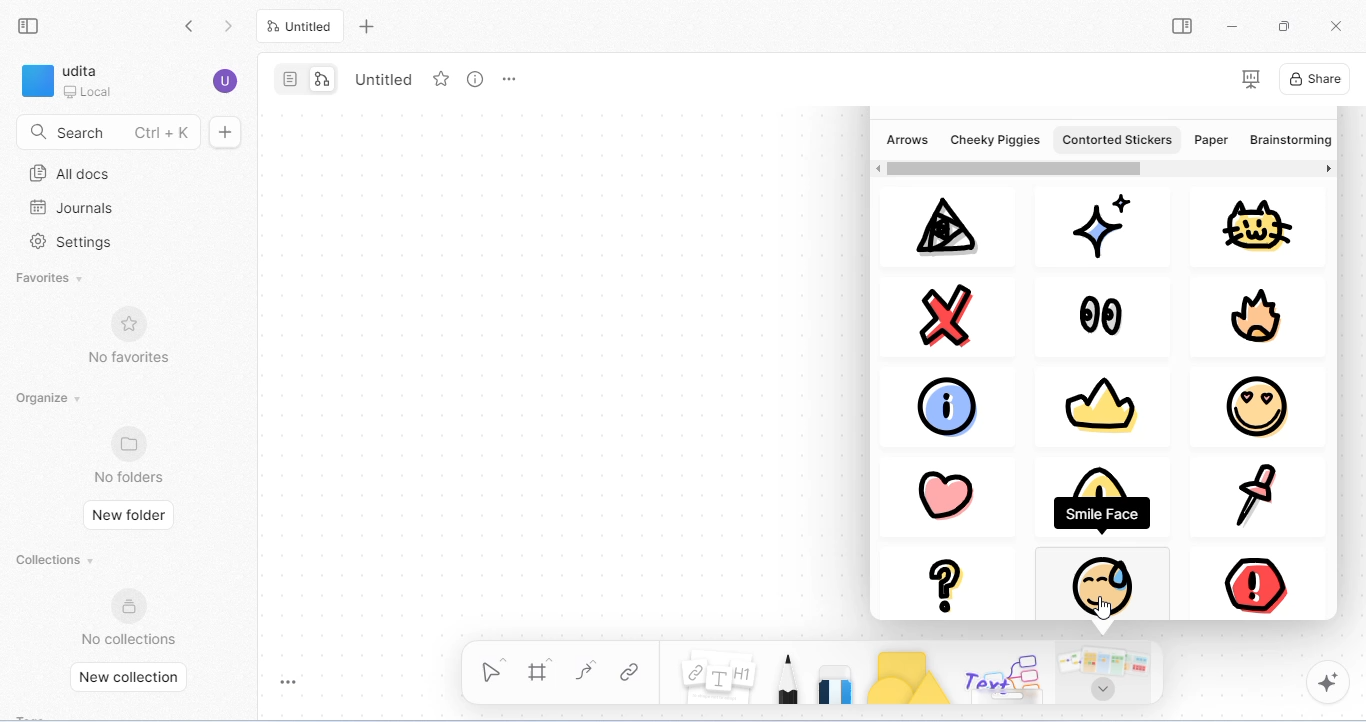 The height and width of the screenshot is (722, 1366). What do you see at coordinates (1330, 683) in the screenshot?
I see `AI assistant` at bounding box center [1330, 683].